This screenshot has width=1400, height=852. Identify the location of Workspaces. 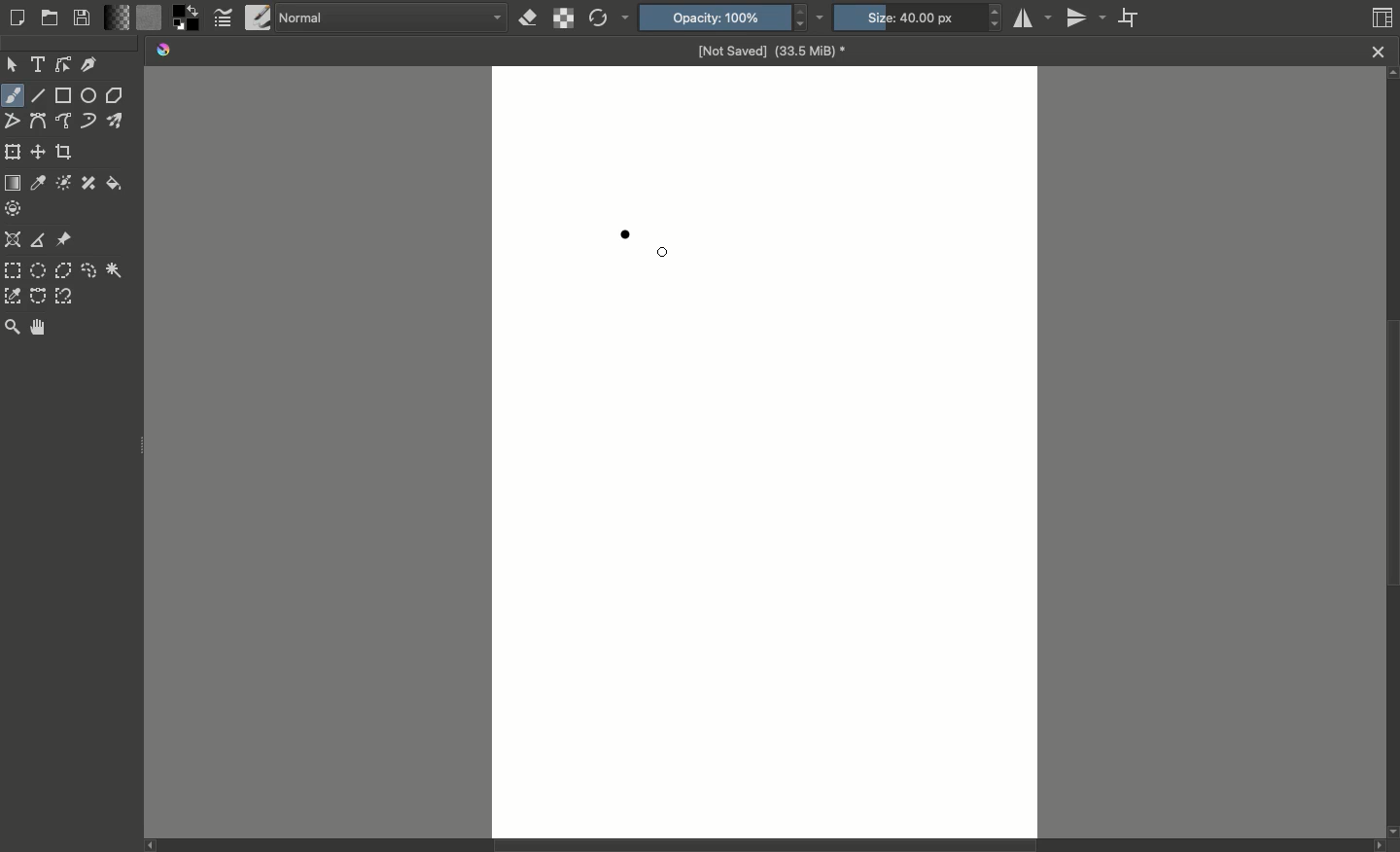
(1382, 16).